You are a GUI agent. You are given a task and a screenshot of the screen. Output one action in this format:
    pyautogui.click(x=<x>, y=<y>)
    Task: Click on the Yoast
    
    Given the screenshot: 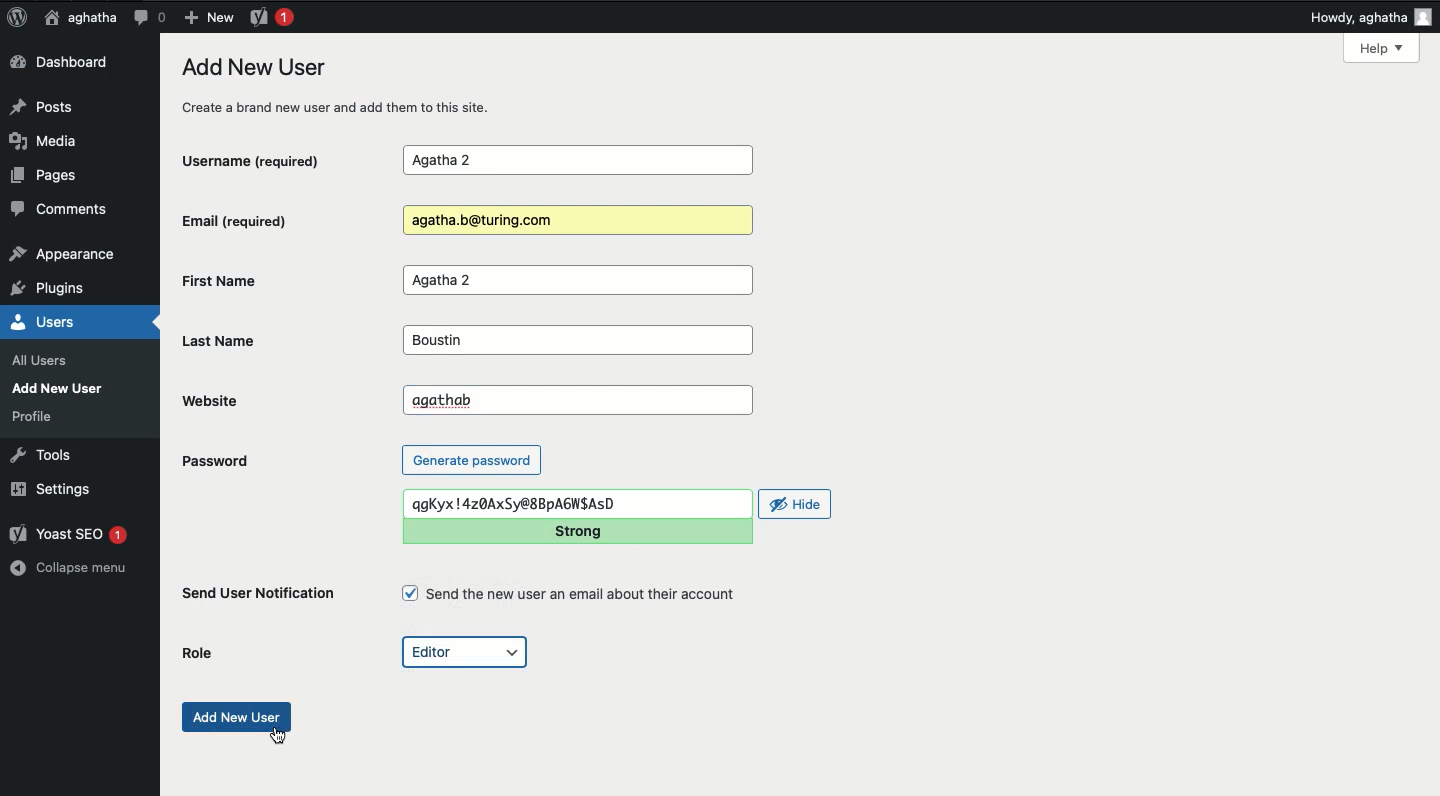 What is the action you would take?
    pyautogui.click(x=270, y=16)
    